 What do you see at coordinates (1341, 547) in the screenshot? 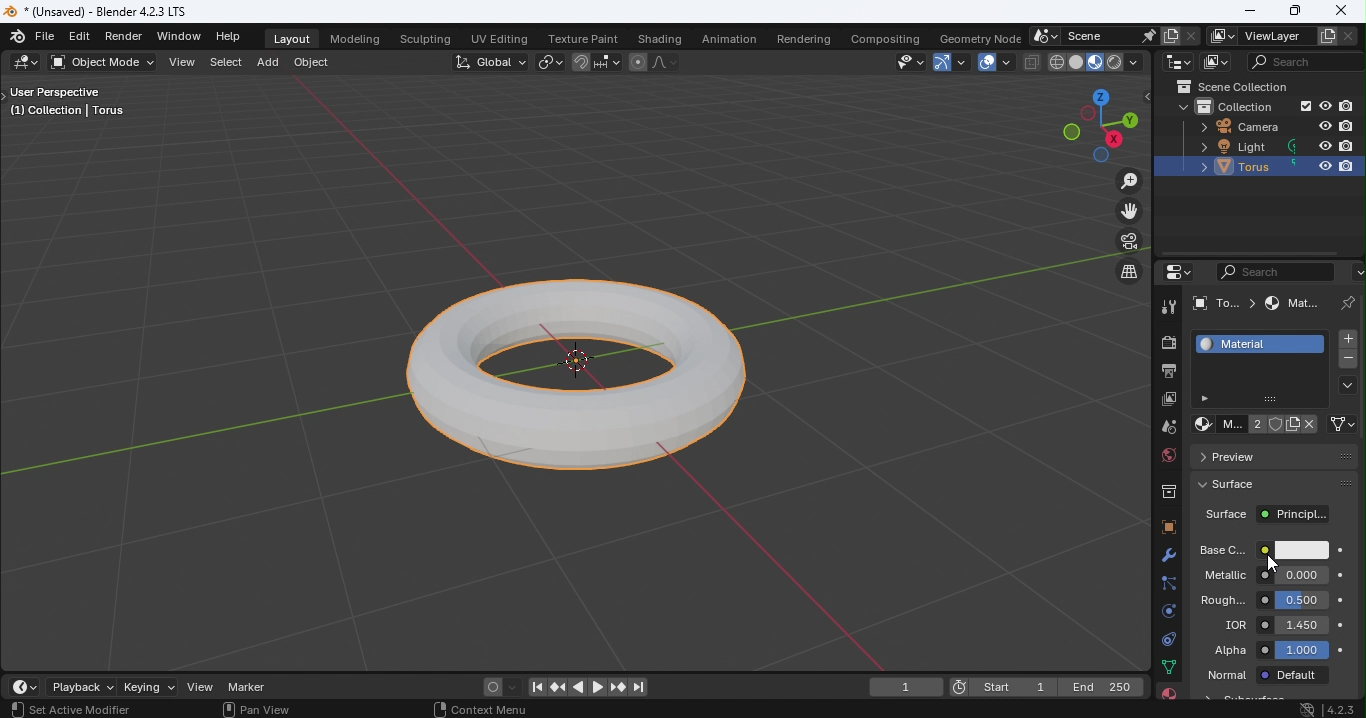
I see `Animate property` at bounding box center [1341, 547].